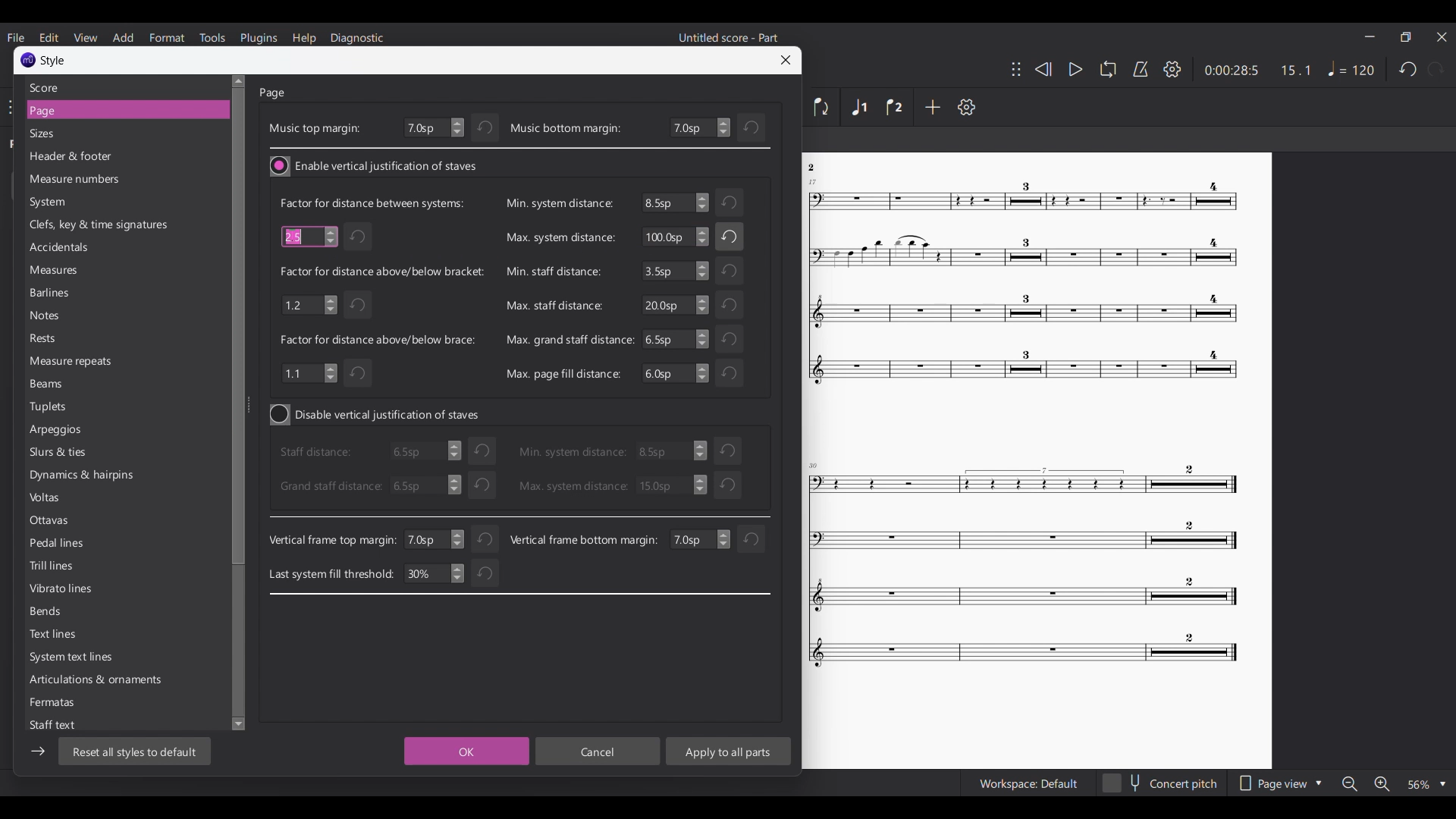 This screenshot has width=1456, height=819. What do you see at coordinates (303, 39) in the screenshot?
I see `Help menu` at bounding box center [303, 39].